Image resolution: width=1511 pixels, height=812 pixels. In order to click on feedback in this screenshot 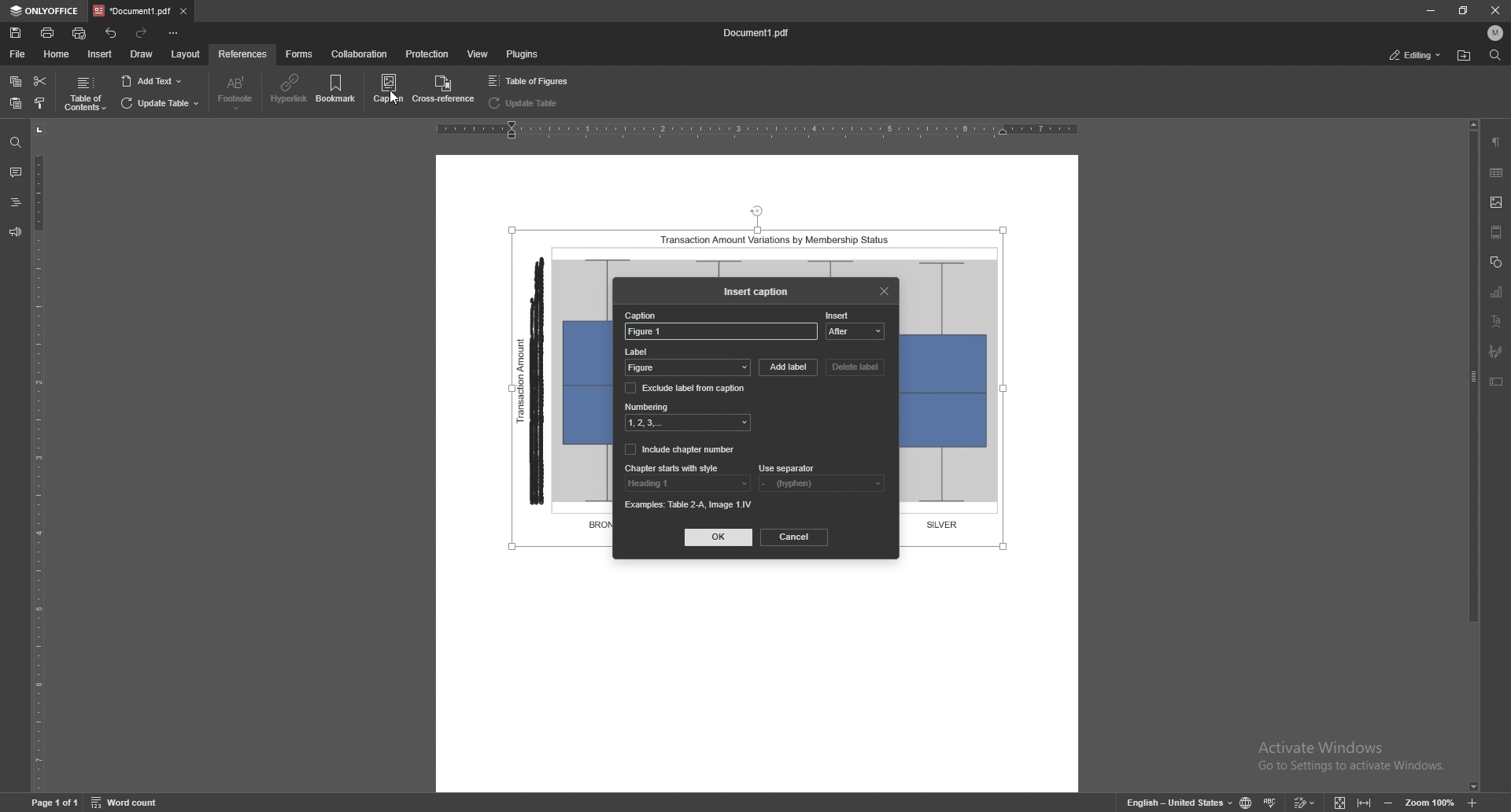, I will do `click(14, 232)`.